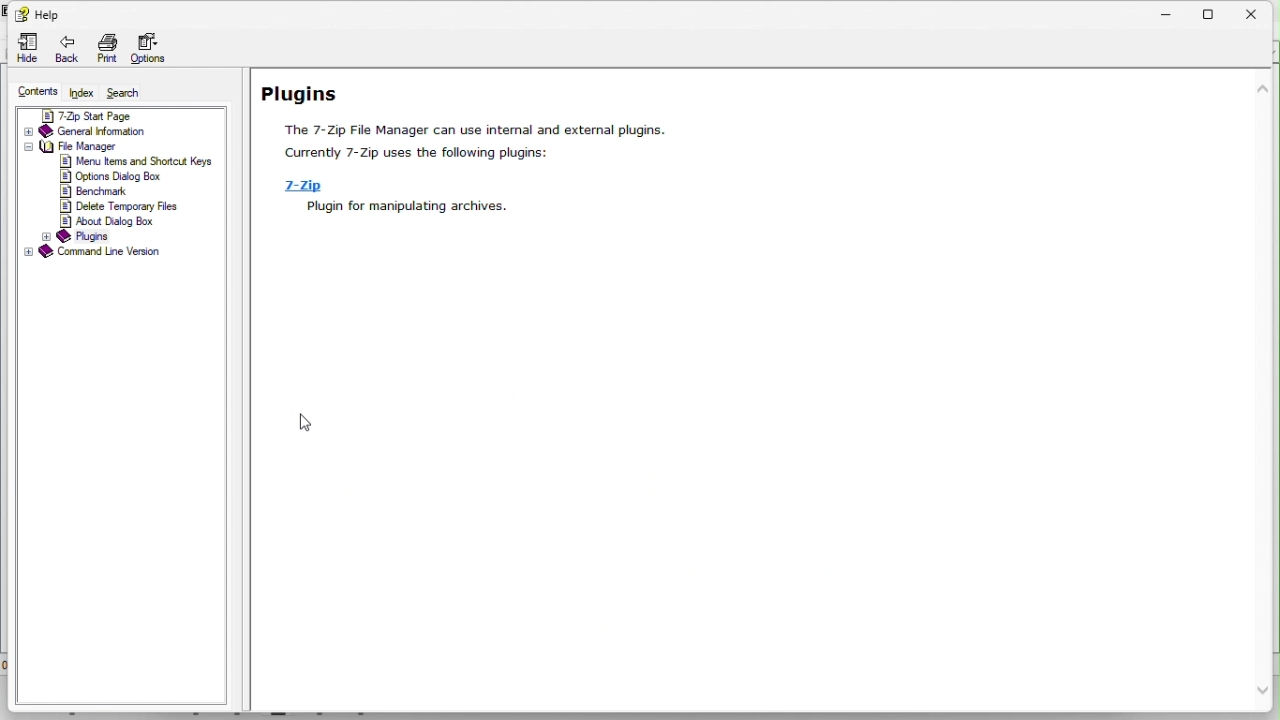 The image size is (1280, 720). What do you see at coordinates (312, 423) in the screenshot?
I see `cursor` at bounding box center [312, 423].